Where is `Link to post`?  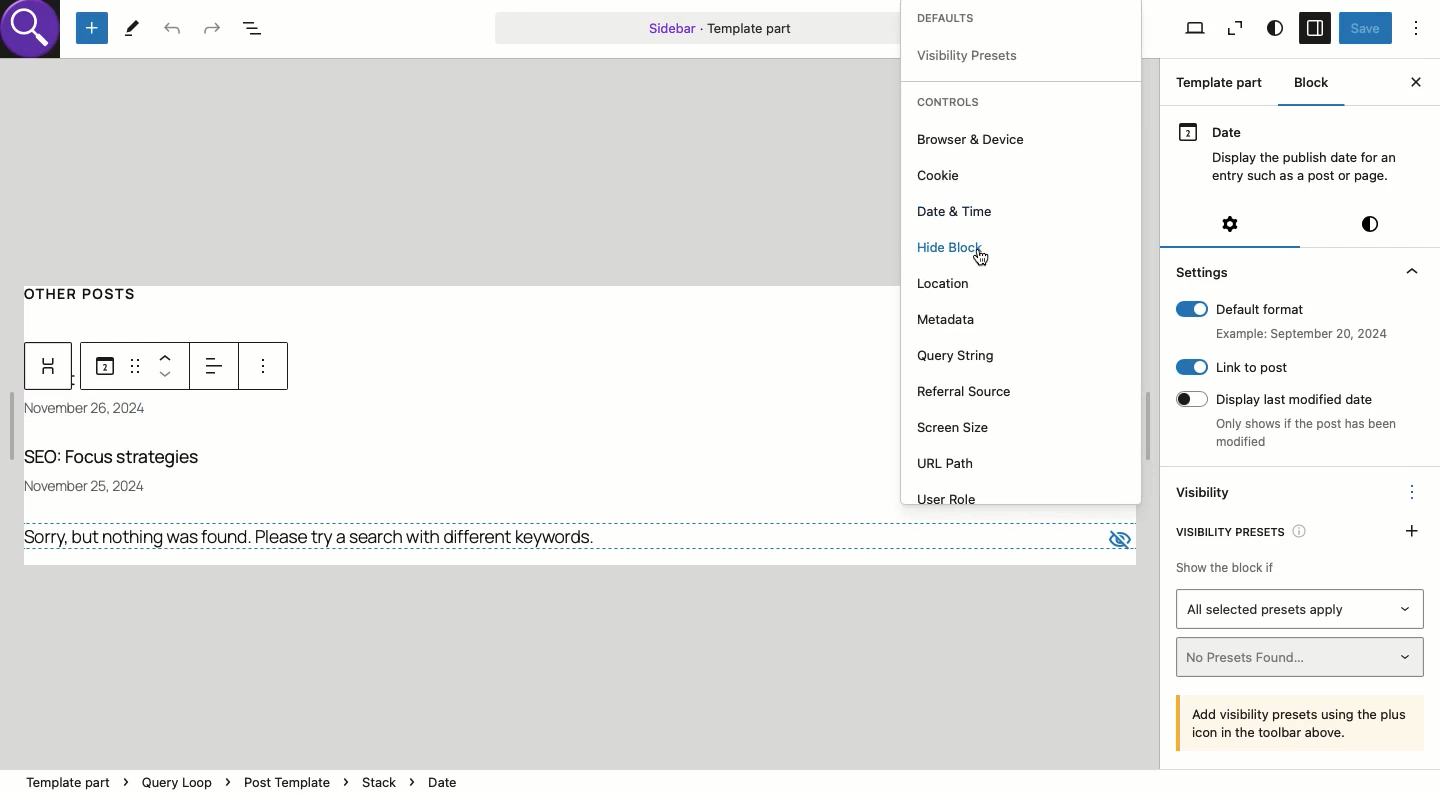 Link to post is located at coordinates (1232, 367).